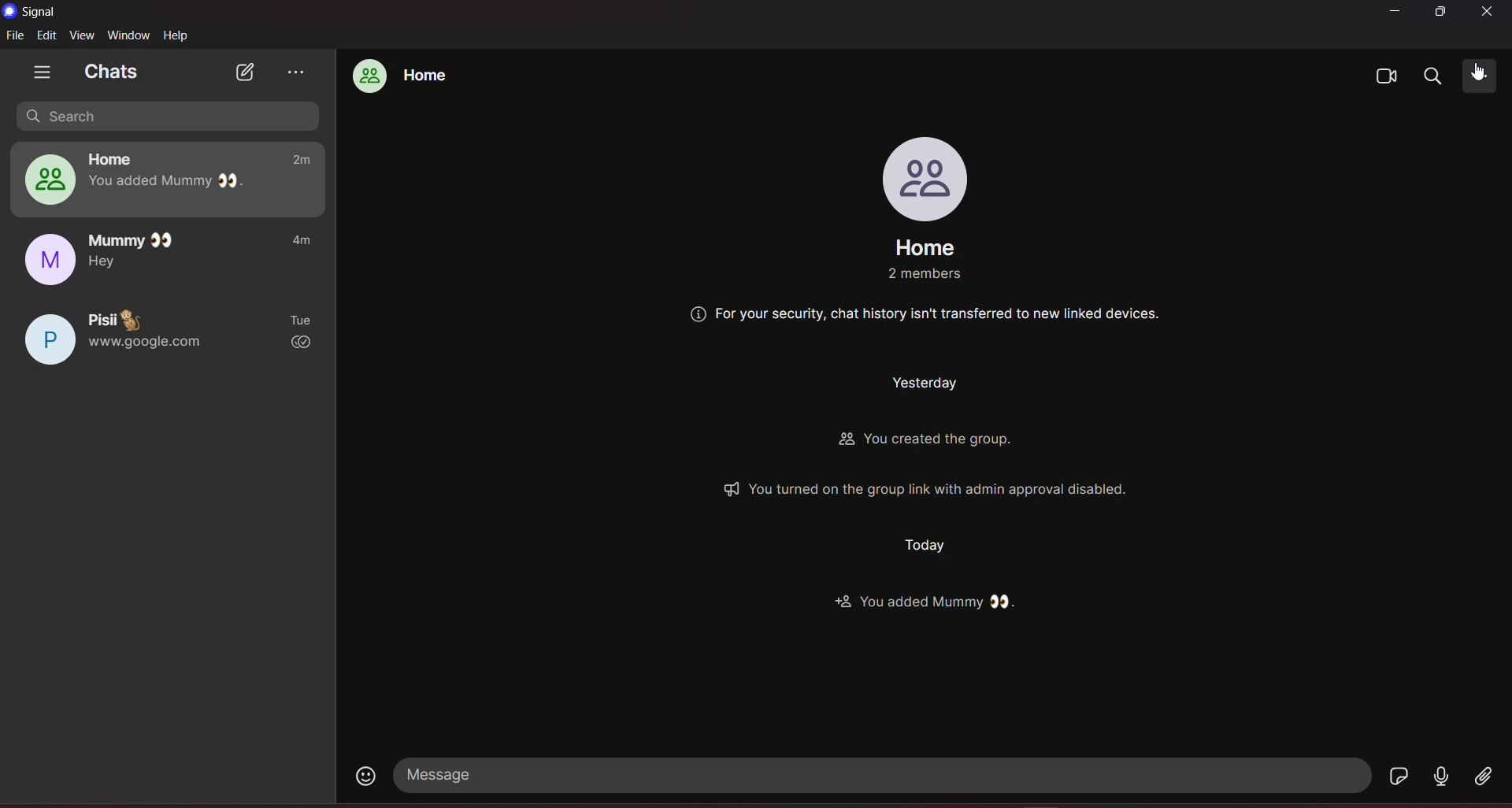 This screenshot has width=1512, height=808. Describe the element at coordinates (82, 34) in the screenshot. I see `view` at that location.